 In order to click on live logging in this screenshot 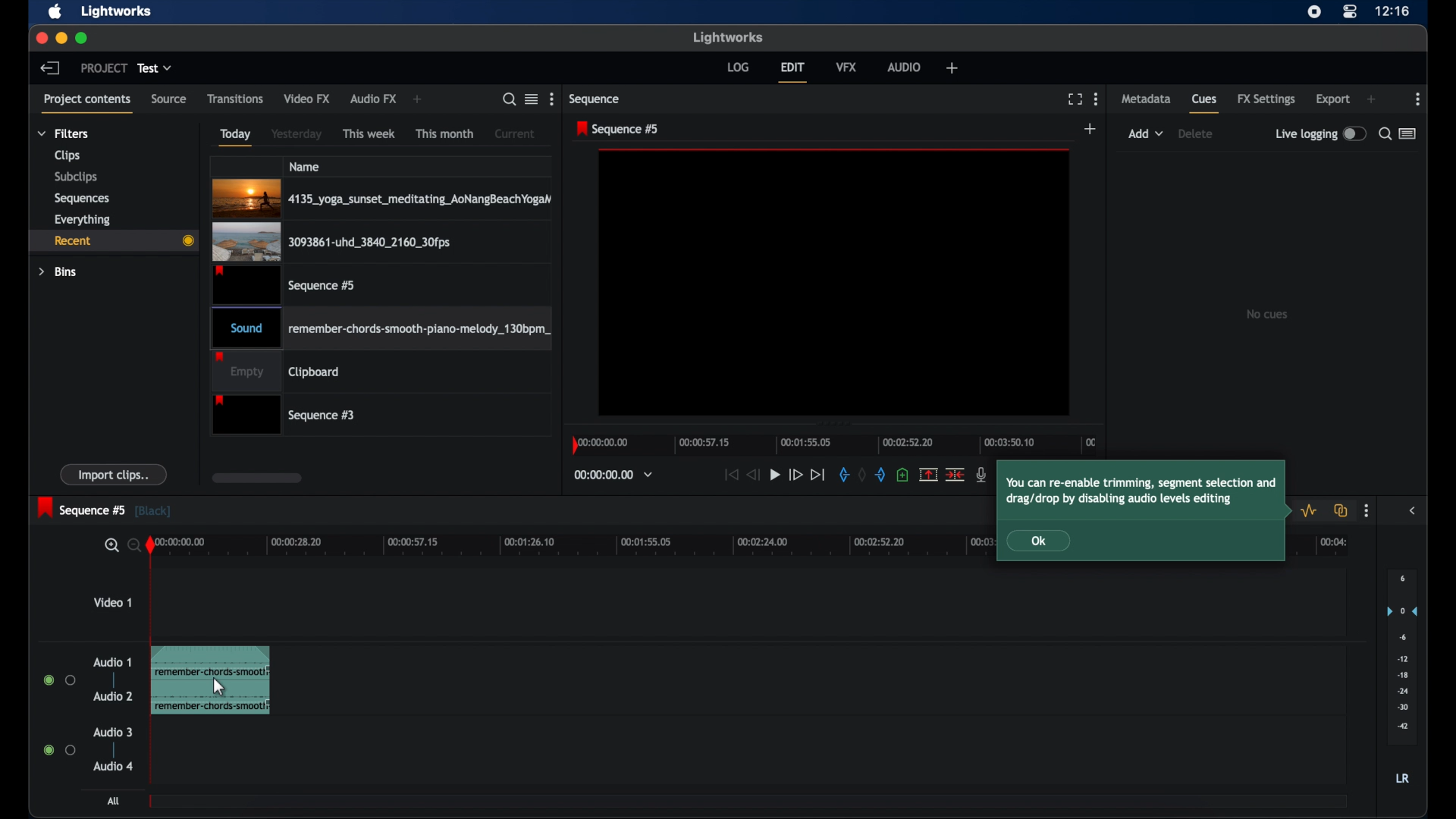, I will do `click(1320, 134)`.